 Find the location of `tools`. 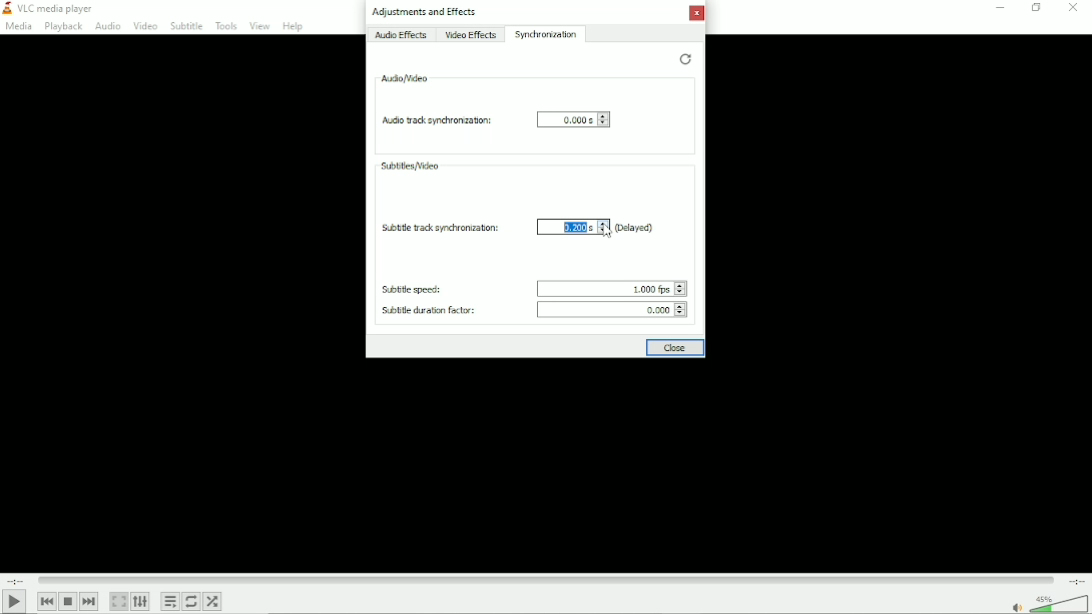

tools is located at coordinates (224, 26).